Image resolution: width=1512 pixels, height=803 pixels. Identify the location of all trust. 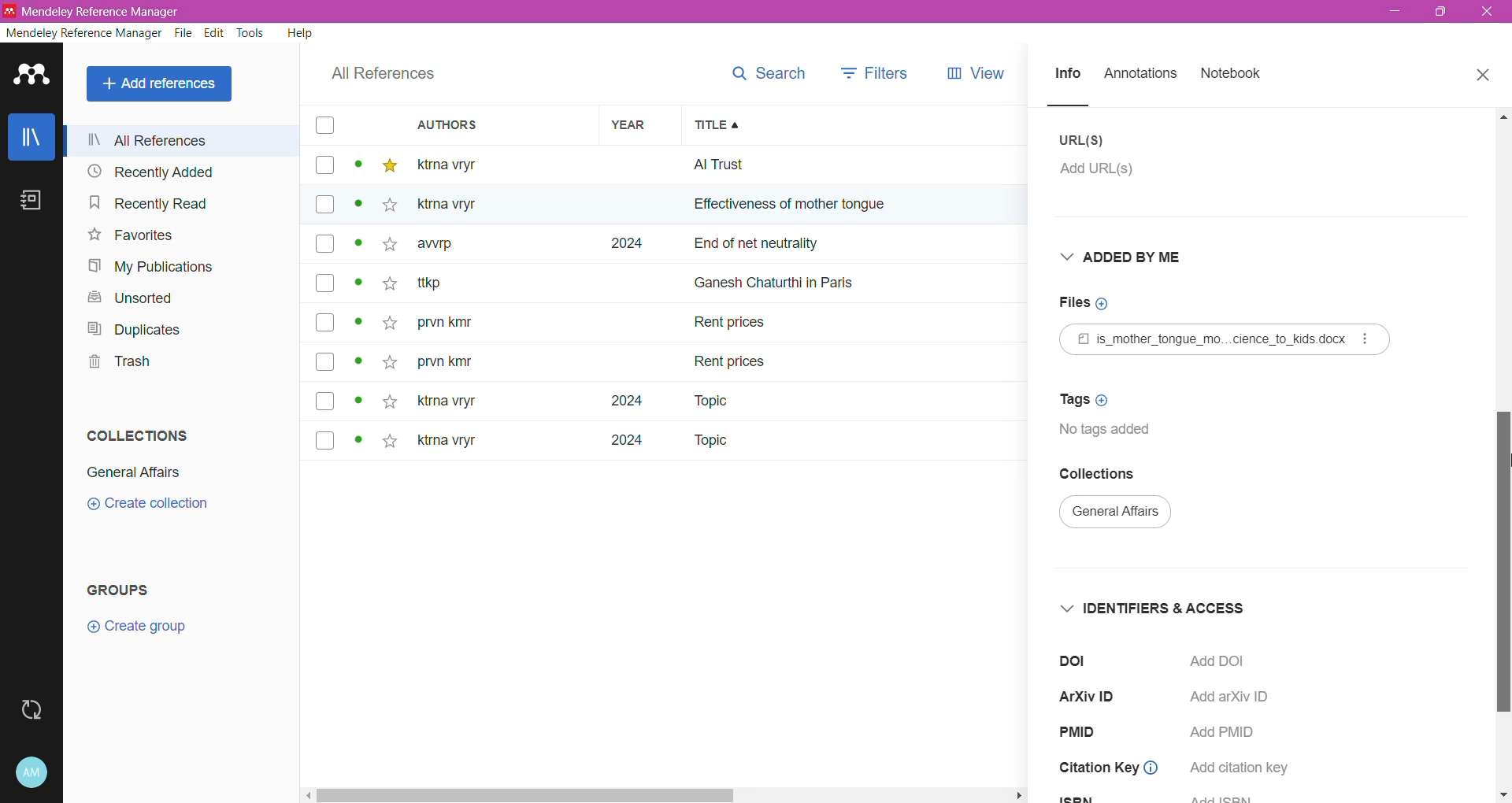
(803, 165).